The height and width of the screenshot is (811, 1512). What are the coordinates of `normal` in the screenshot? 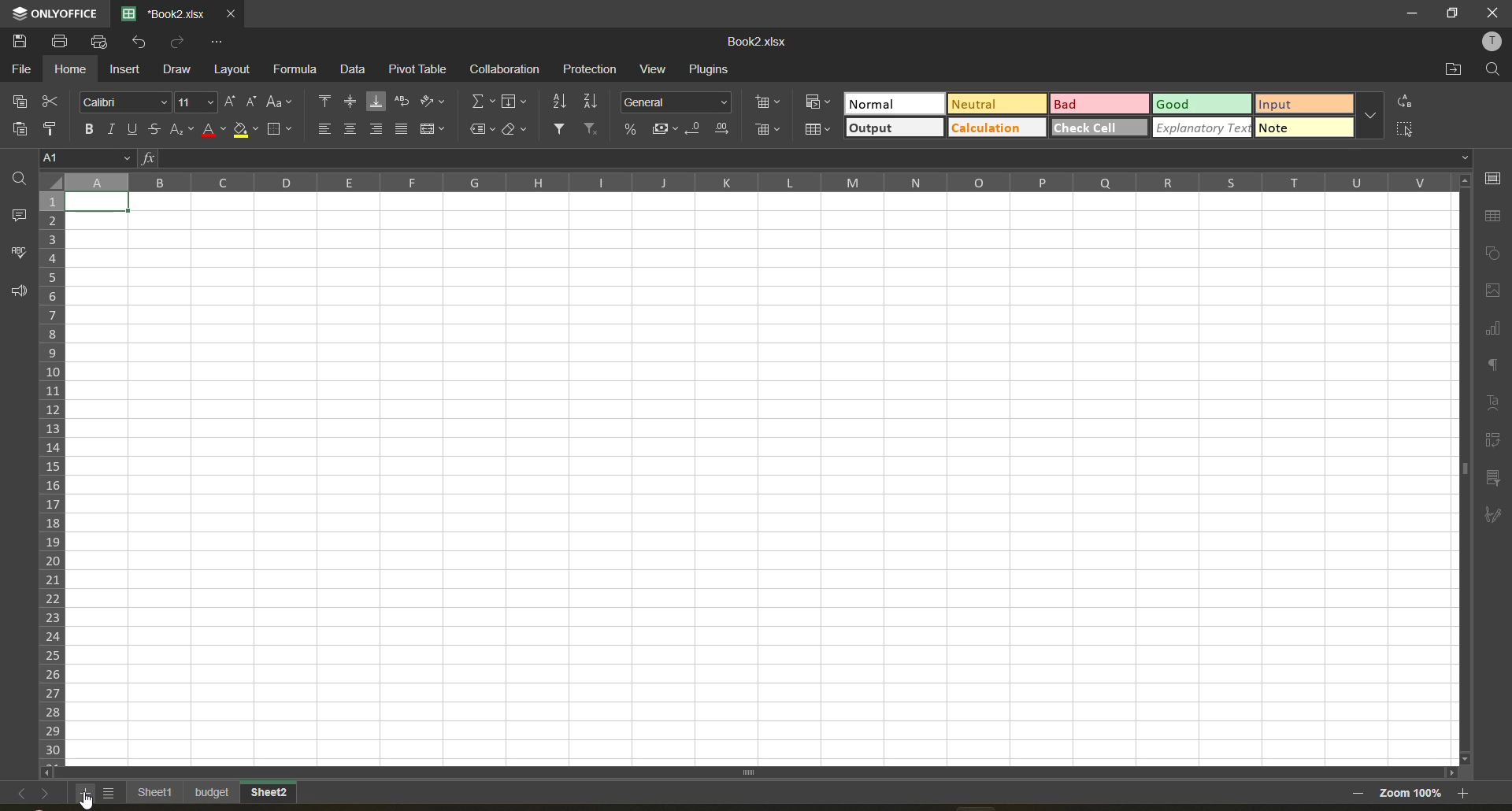 It's located at (893, 105).